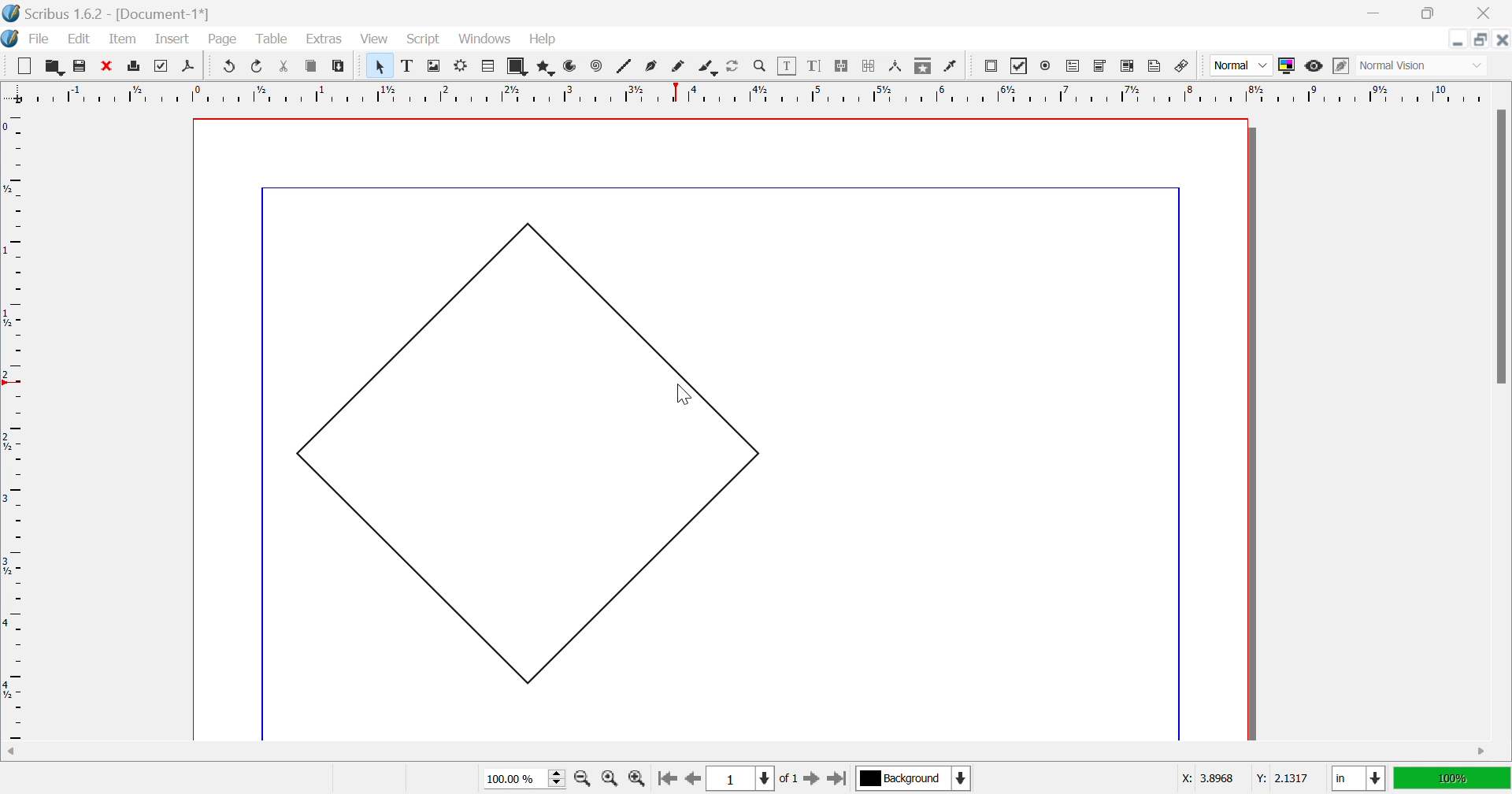 The width and height of the screenshot is (1512, 794). What do you see at coordinates (1313, 66) in the screenshot?
I see `Preview mode` at bounding box center [1313, 66].